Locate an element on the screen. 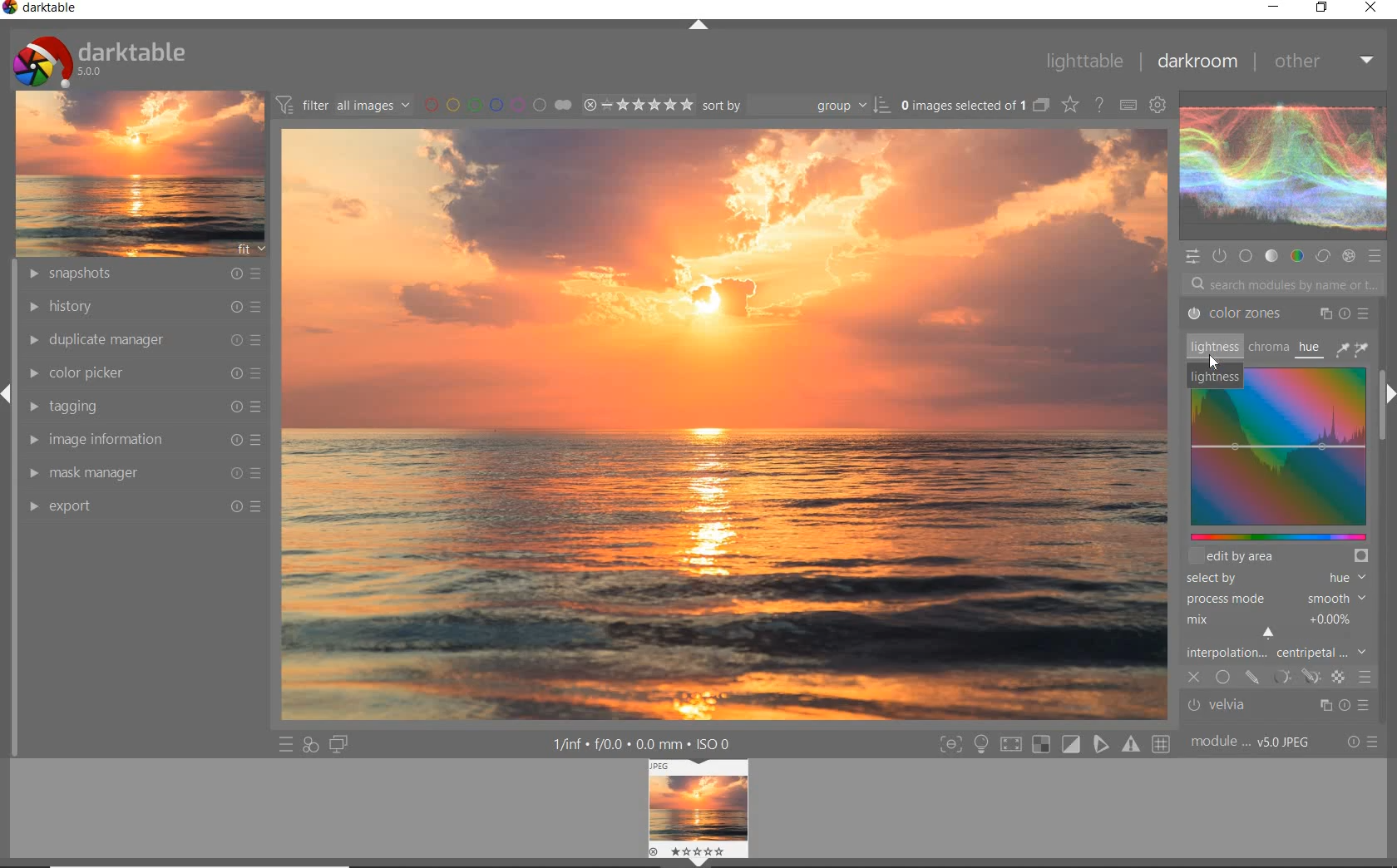  MASK MANAGER is located at coordinates (143, 472).